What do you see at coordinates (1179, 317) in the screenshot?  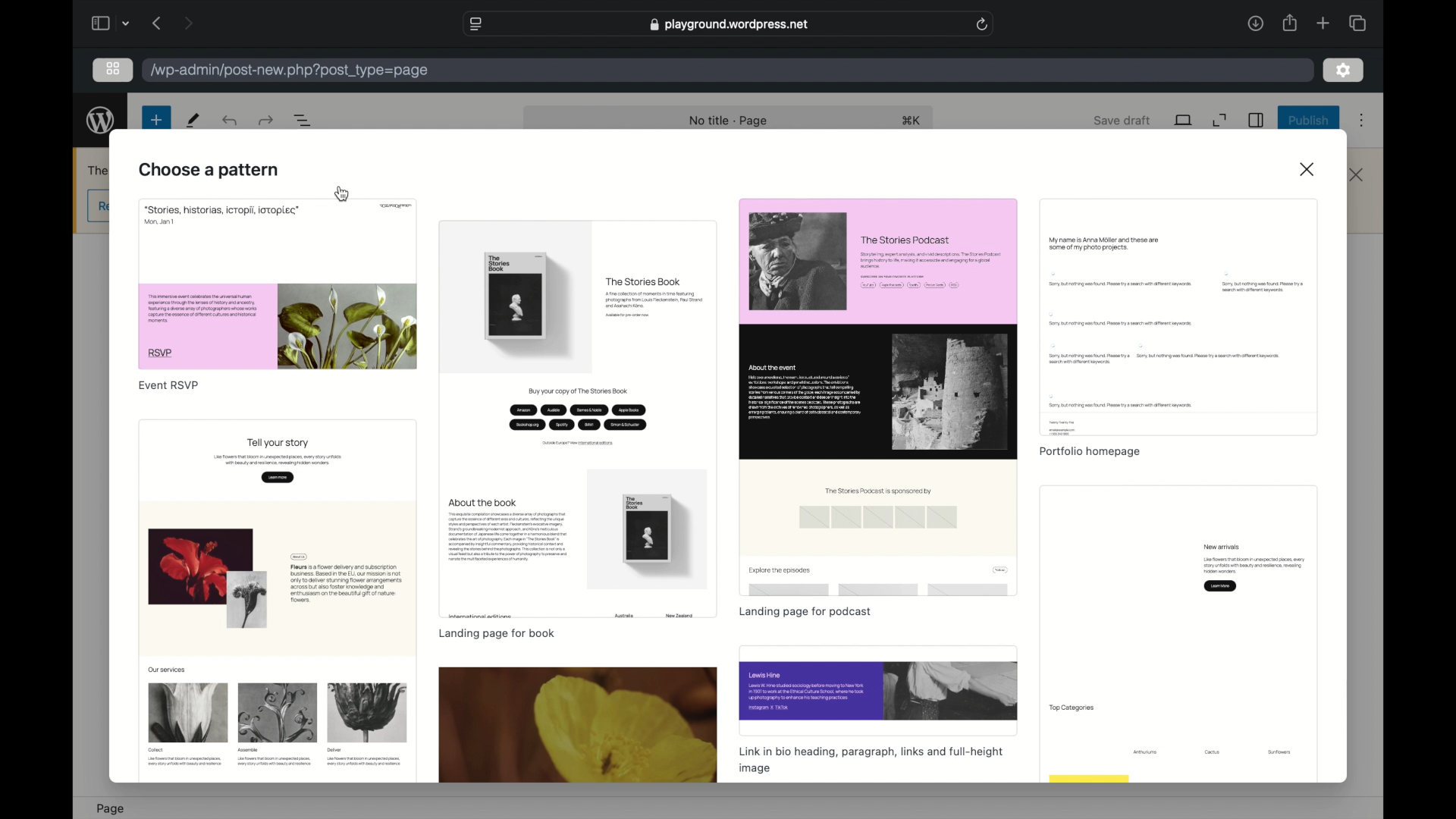 I see `preview` at bounding box center [1179, 317].